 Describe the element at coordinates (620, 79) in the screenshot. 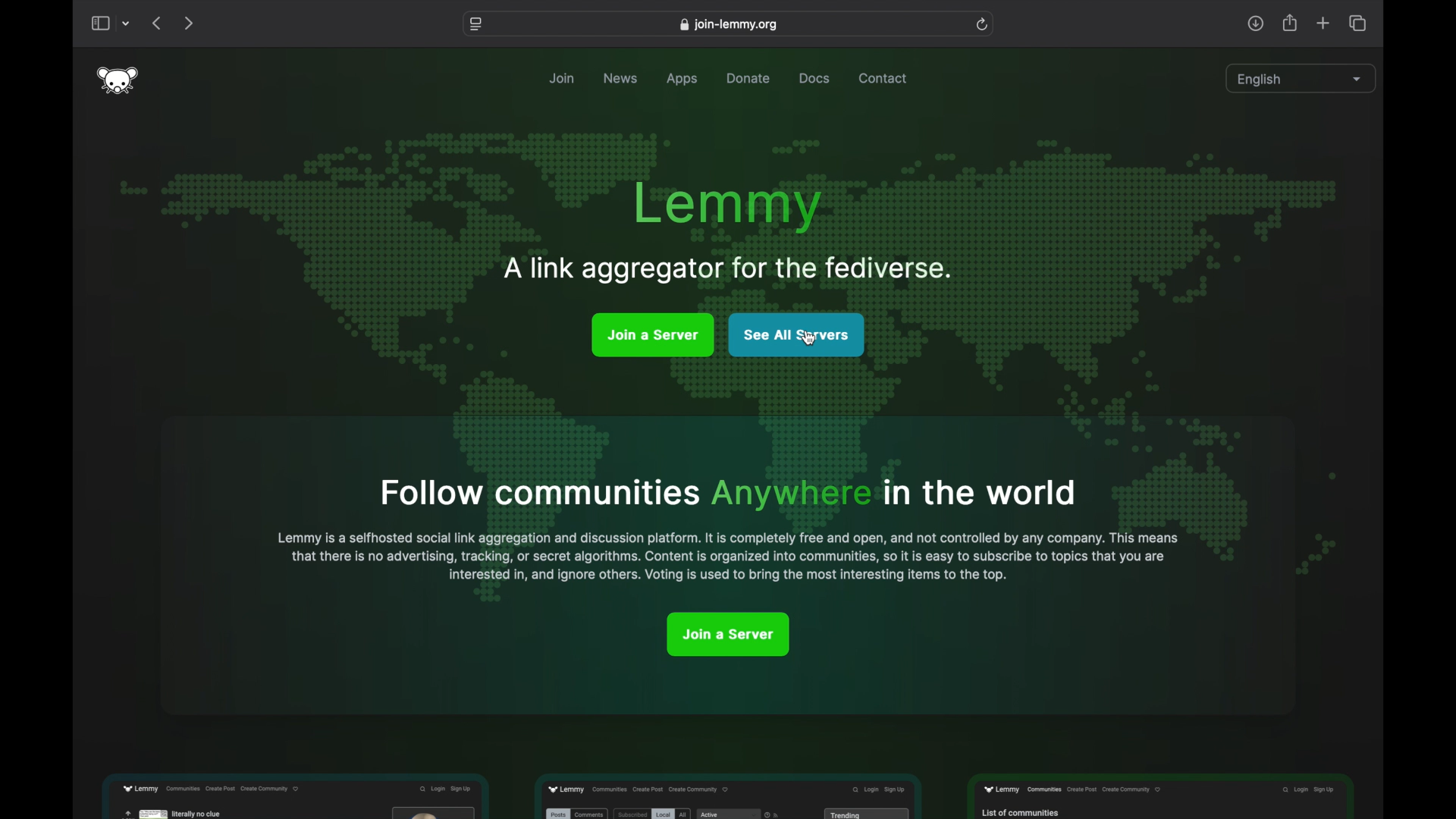

I see `news` at that location.